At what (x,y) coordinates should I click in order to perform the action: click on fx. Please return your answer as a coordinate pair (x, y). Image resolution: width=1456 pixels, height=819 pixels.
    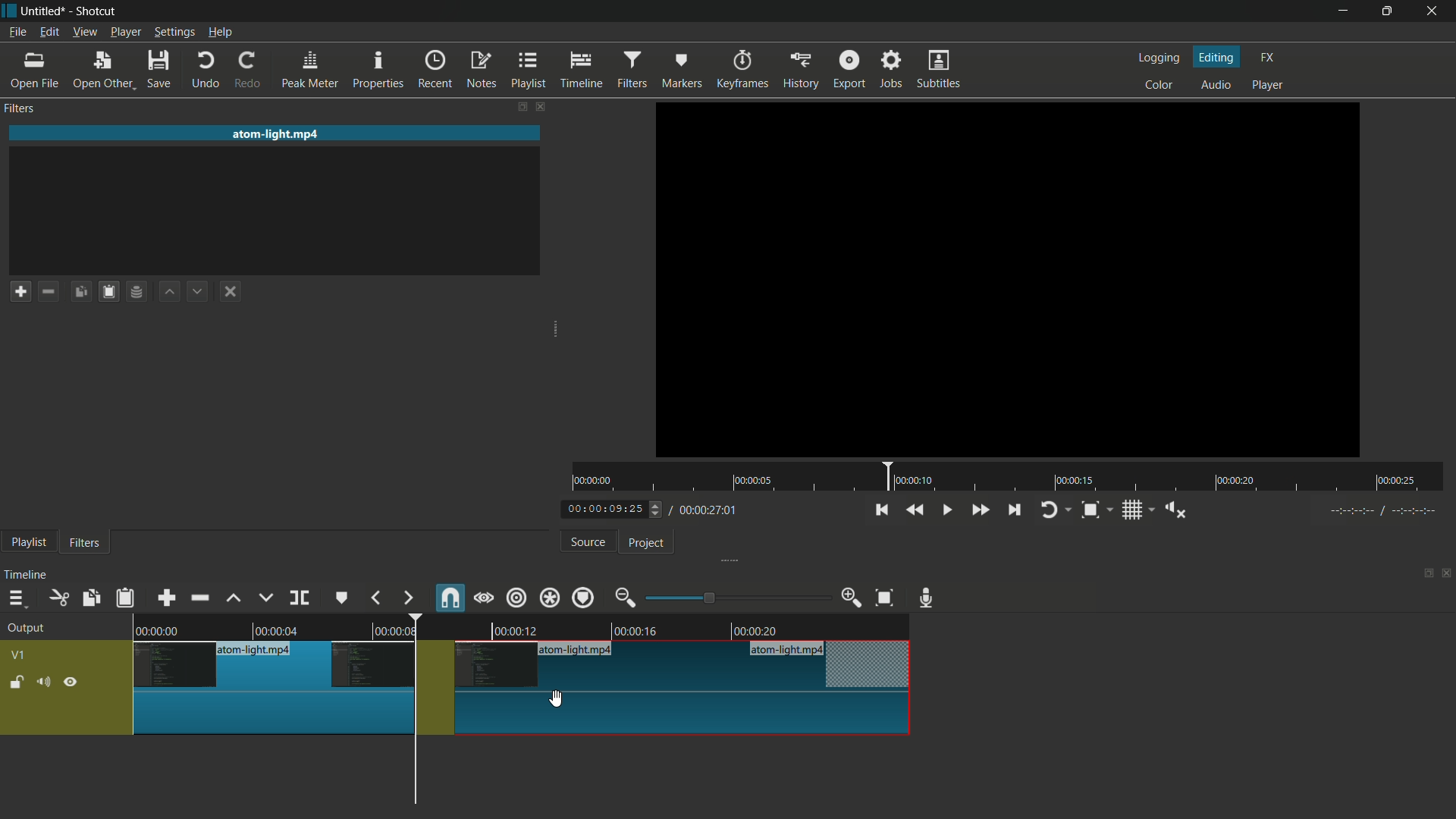
    Looking at the image, I should click on (1267, 58).